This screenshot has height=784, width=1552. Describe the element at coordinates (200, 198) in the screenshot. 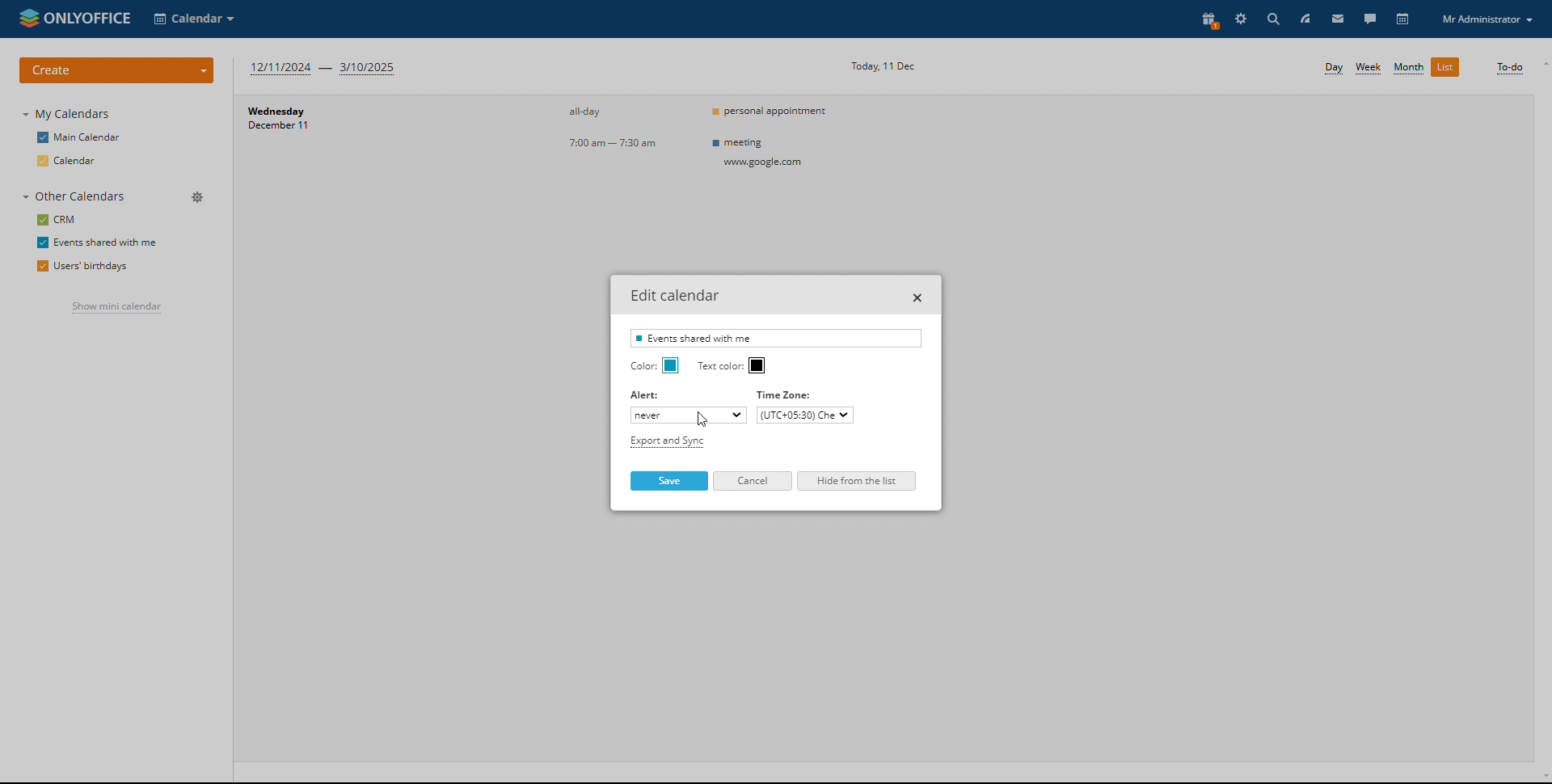

I see `manage` at that location.